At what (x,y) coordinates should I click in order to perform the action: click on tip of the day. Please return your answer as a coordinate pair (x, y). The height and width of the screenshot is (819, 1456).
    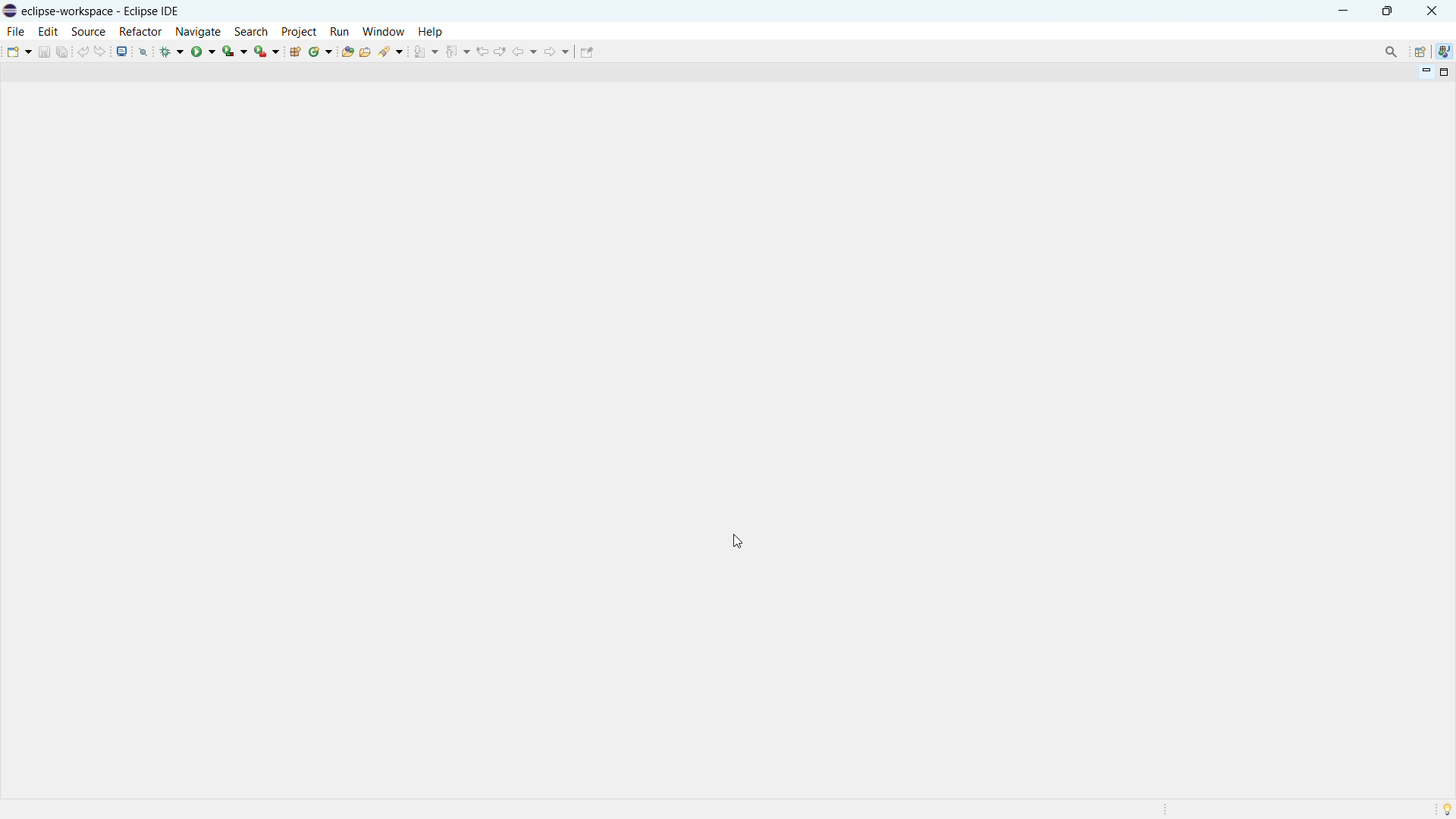
    Looking at the image, I should click on (1447, 809).